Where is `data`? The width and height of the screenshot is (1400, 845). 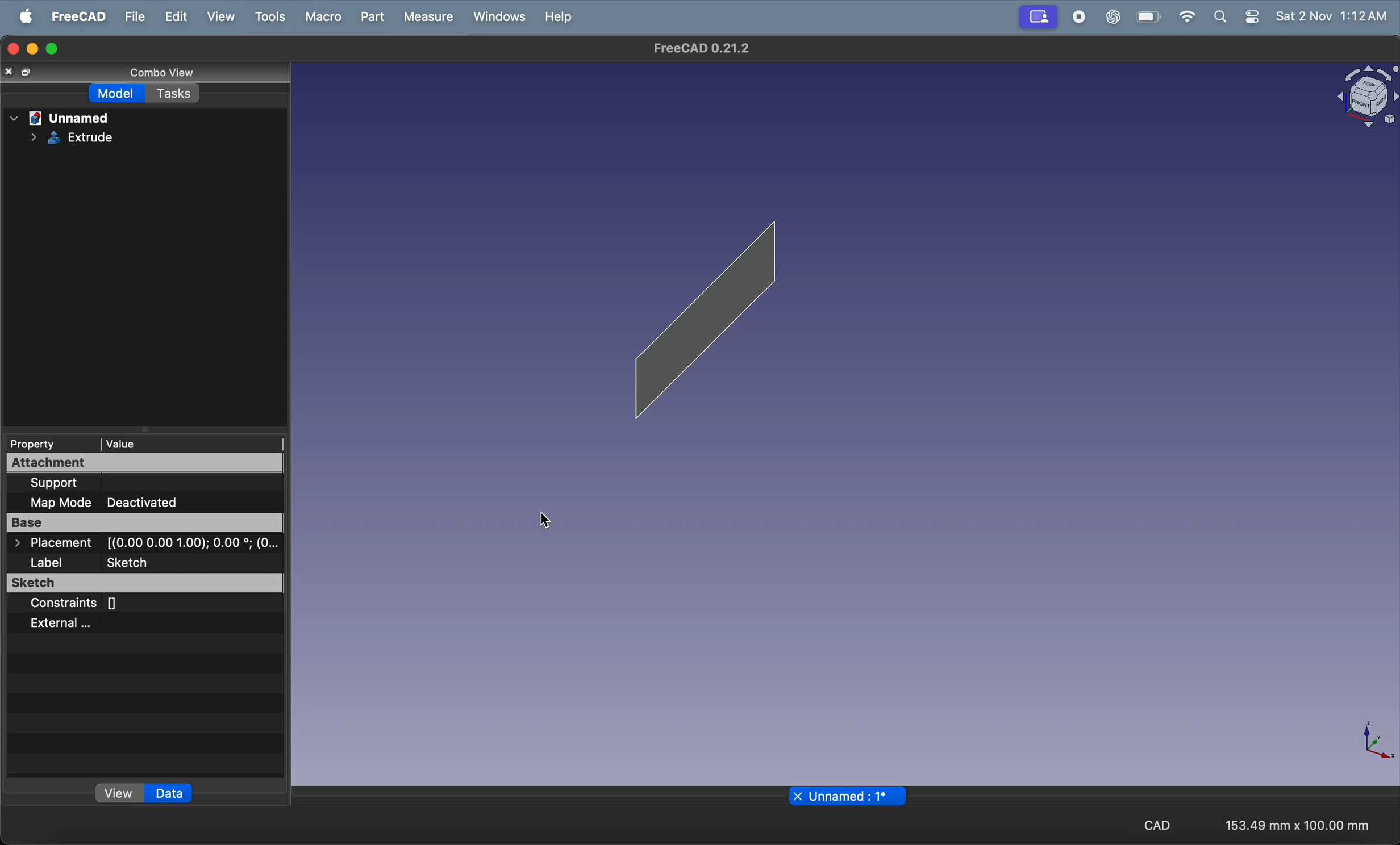
data is located at coordinates (168, 793).